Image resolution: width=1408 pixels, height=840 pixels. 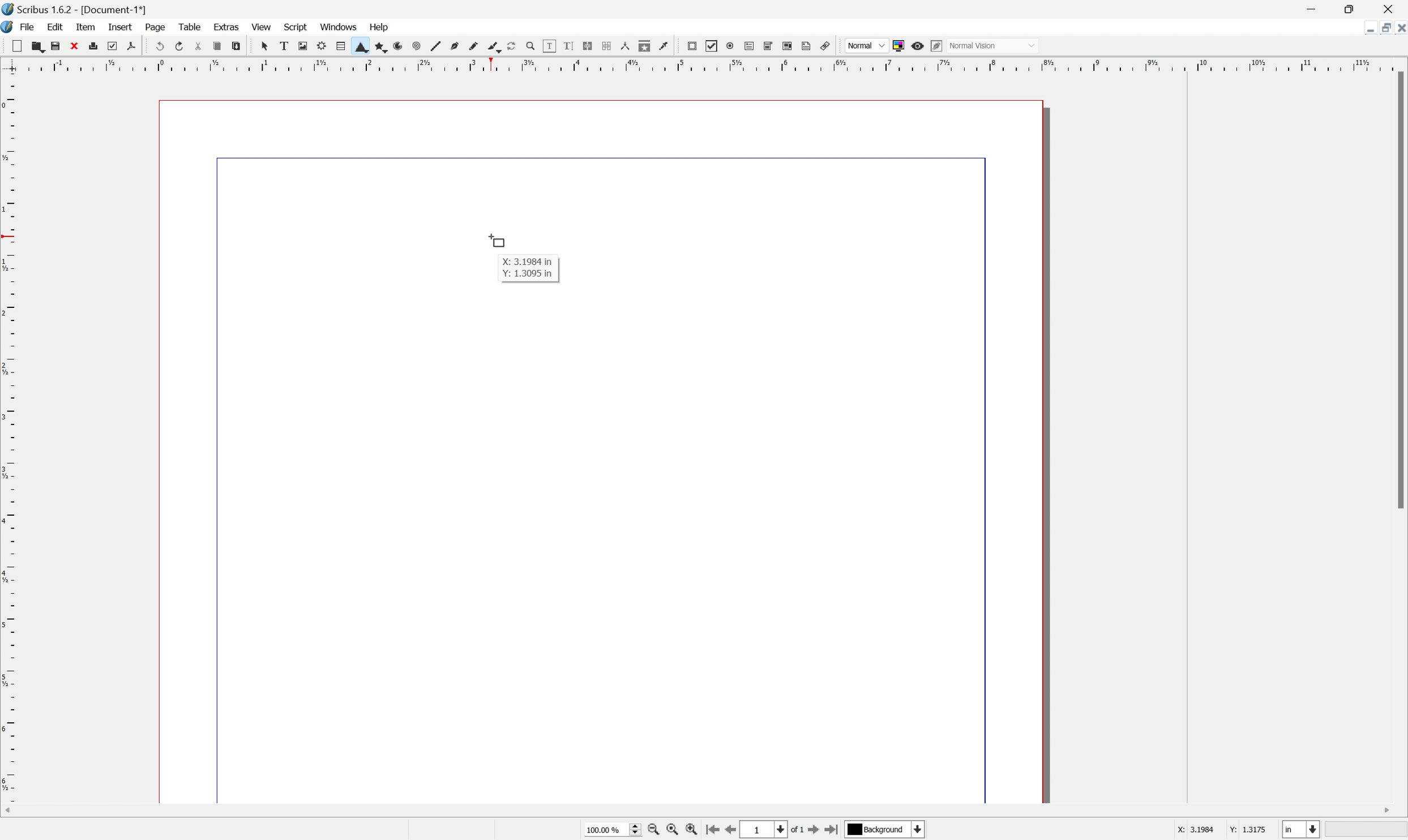 What do you see at coordinates (564, 47) in the screenshot?
I see `Edit text with story editor` at bounding box center [564, 47].